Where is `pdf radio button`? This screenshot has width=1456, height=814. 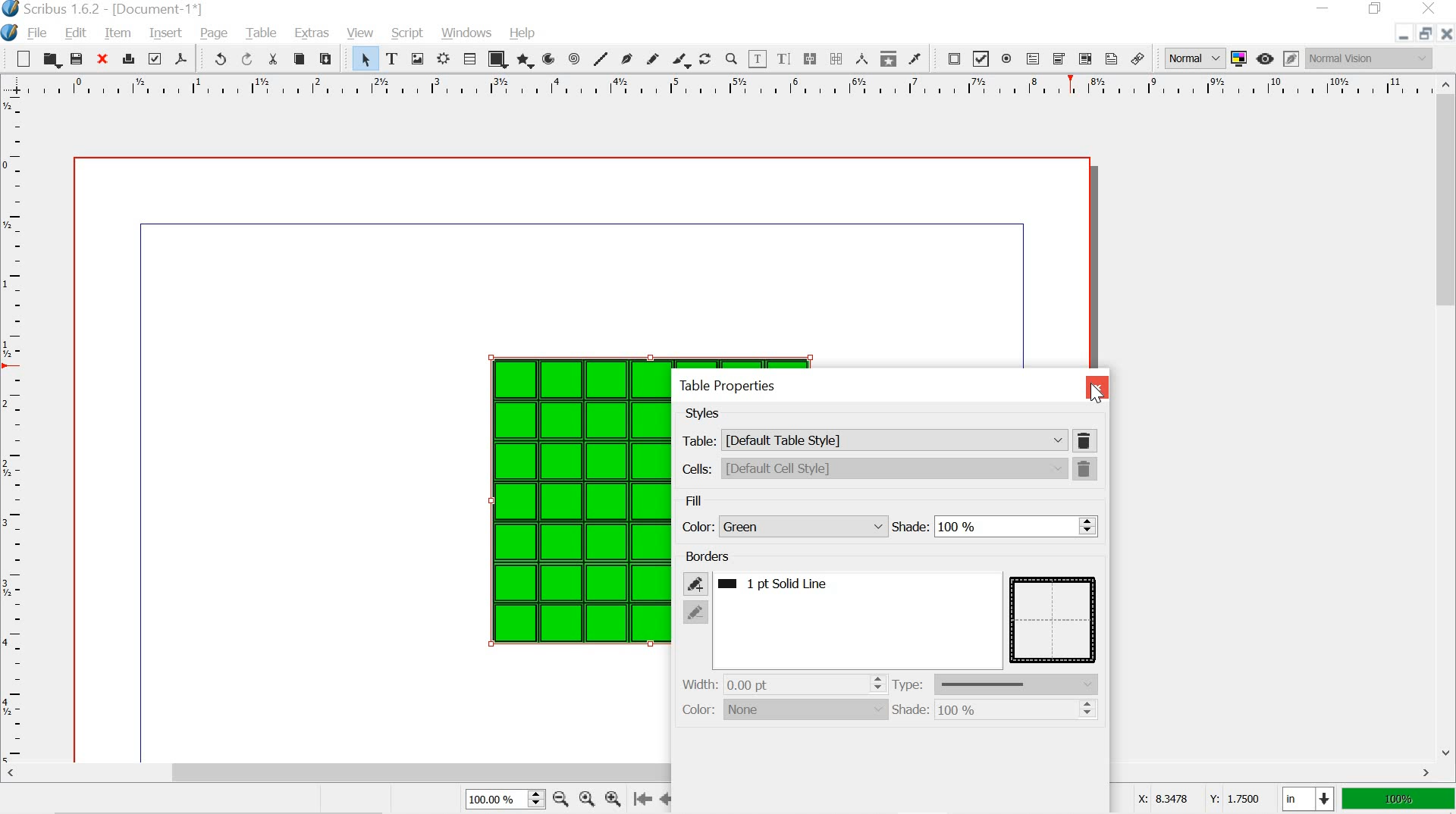 pdf radio button is located at coordinates (1006, 59).